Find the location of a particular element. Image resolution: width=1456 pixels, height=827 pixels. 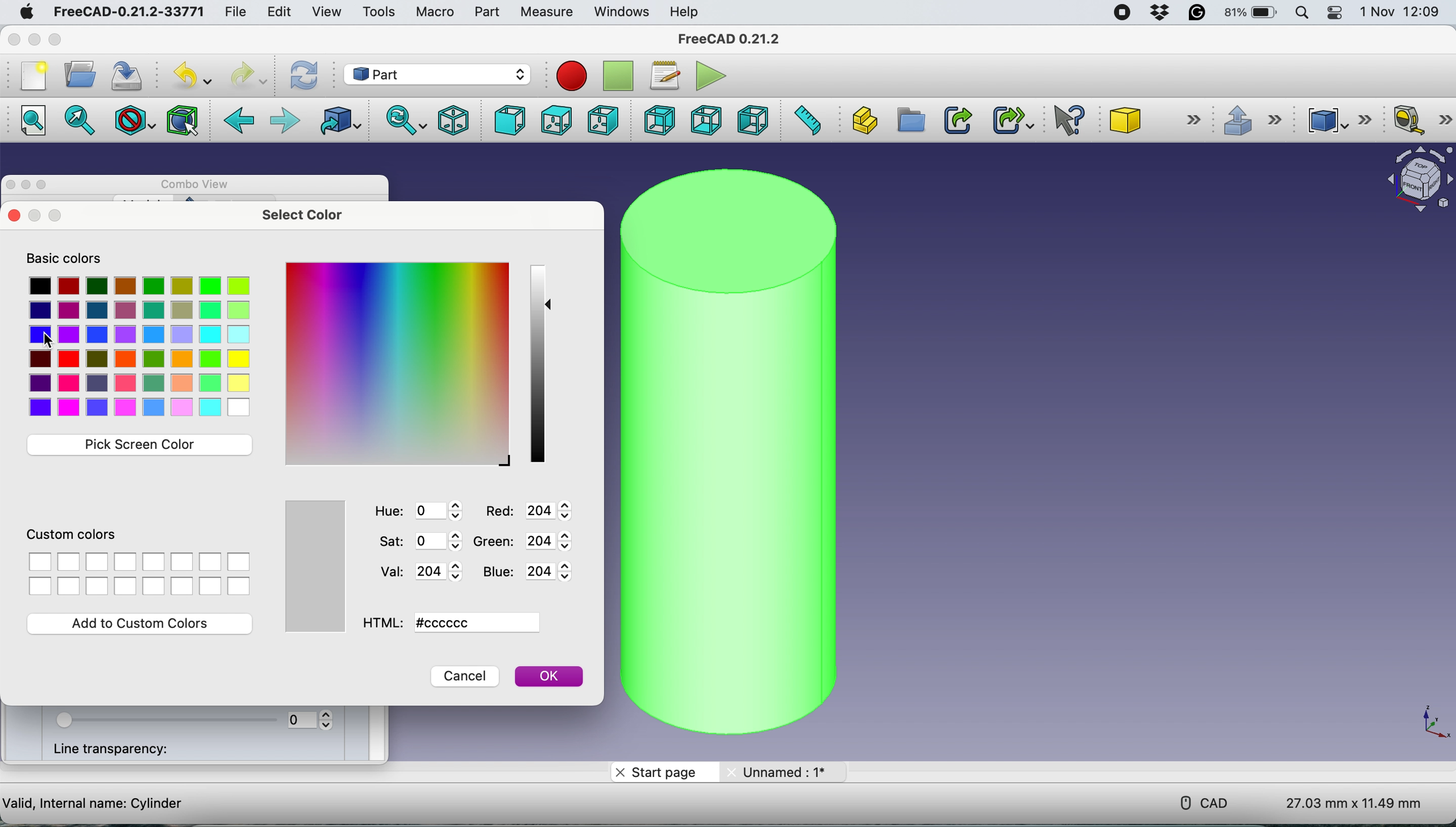

cylinder is located at coordinates (722, 453).